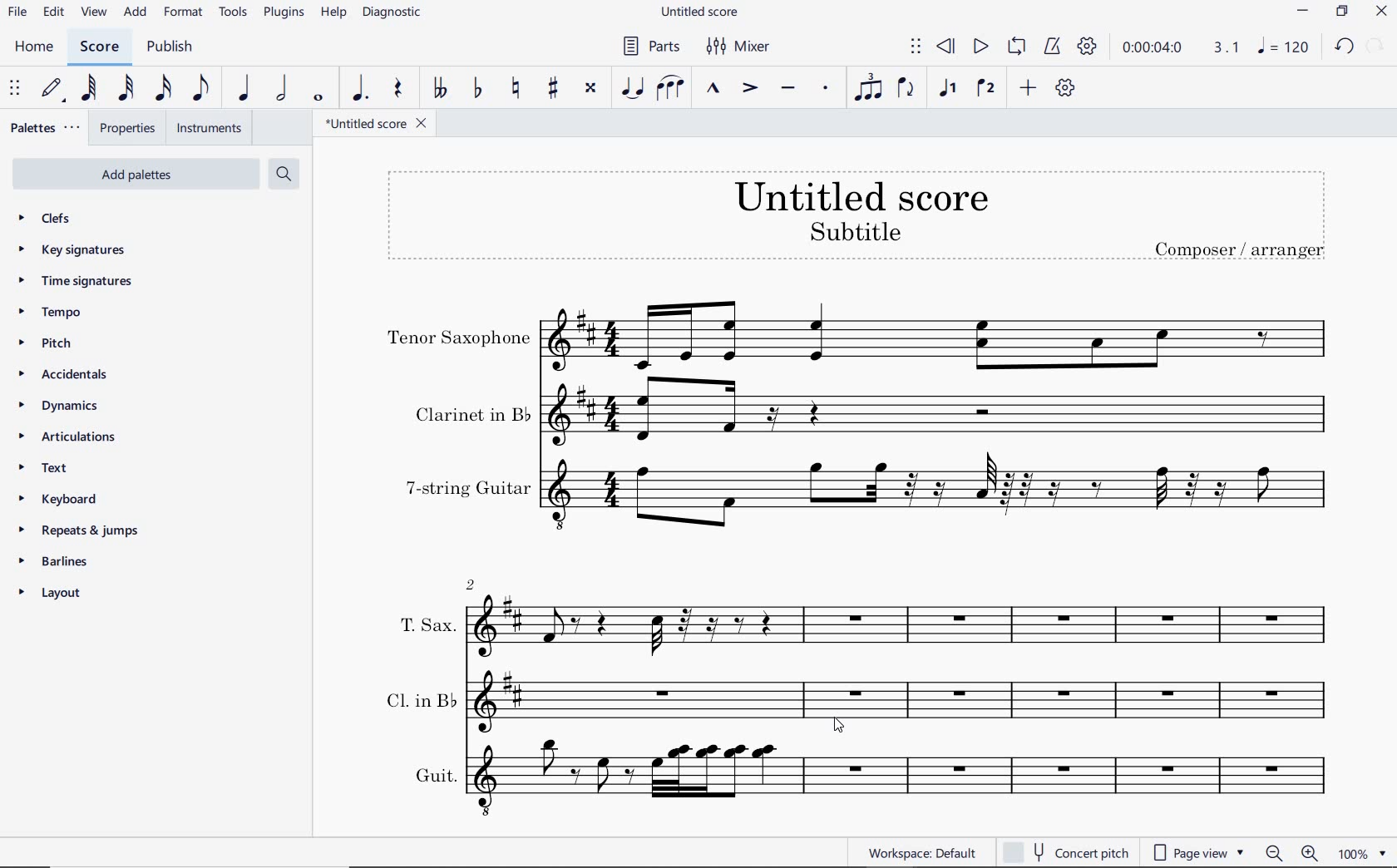  I want to click on VOICE 1, so click(949, 89).